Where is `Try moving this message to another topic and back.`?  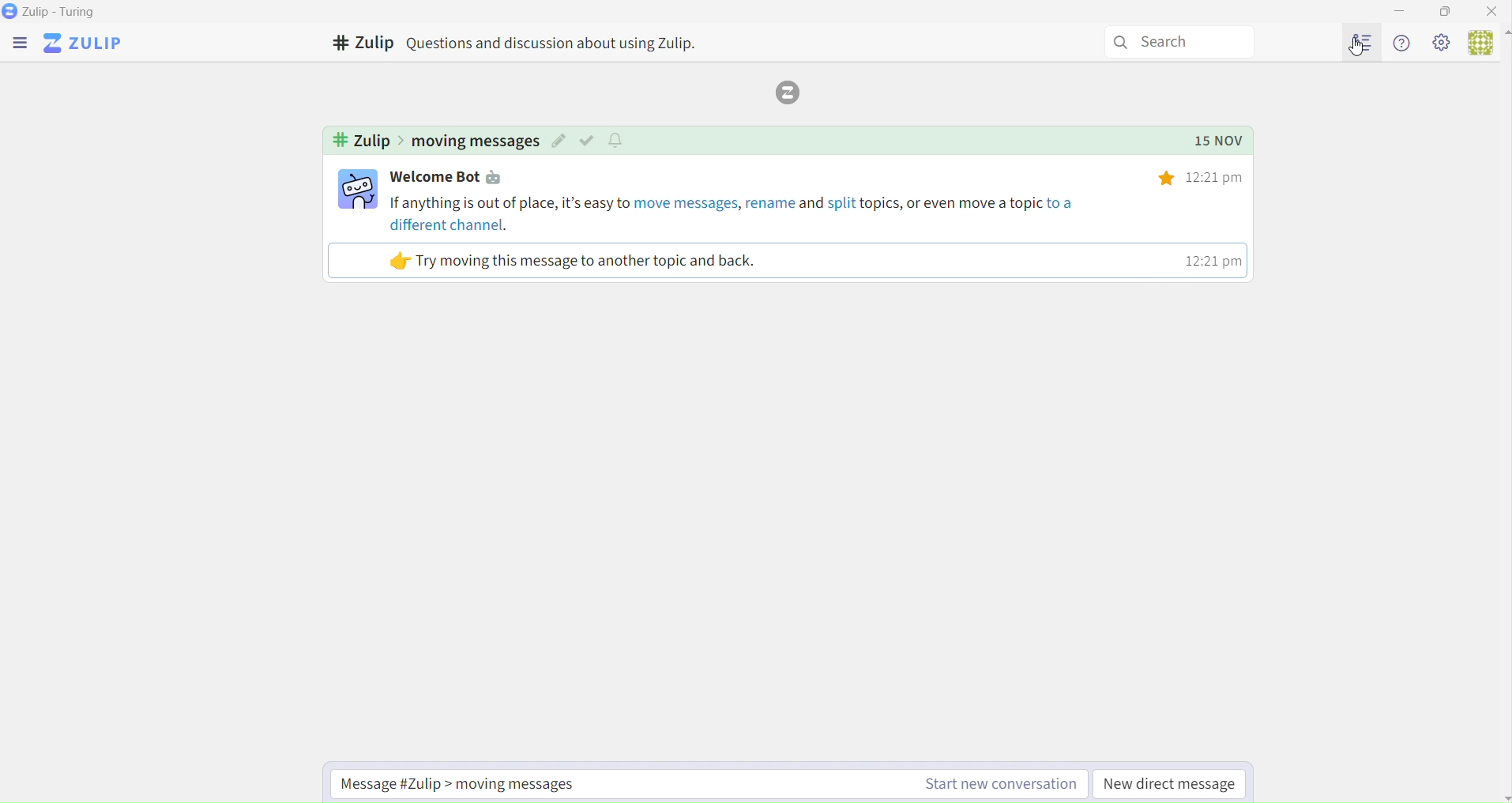 Try moving this message to another topic and back. is located at coordinates (574, 261).